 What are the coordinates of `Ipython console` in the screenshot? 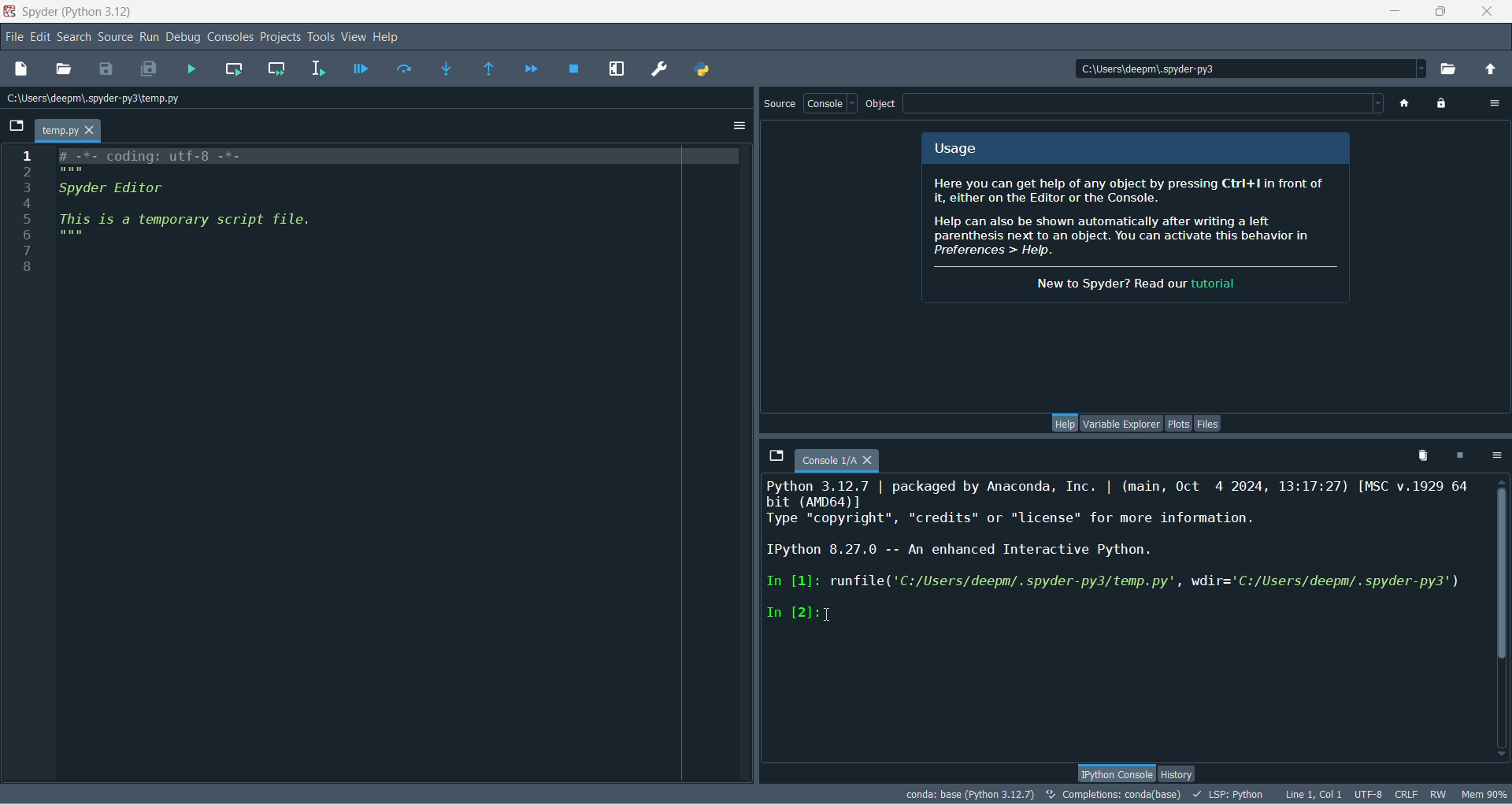 It's located at (1115, 771).